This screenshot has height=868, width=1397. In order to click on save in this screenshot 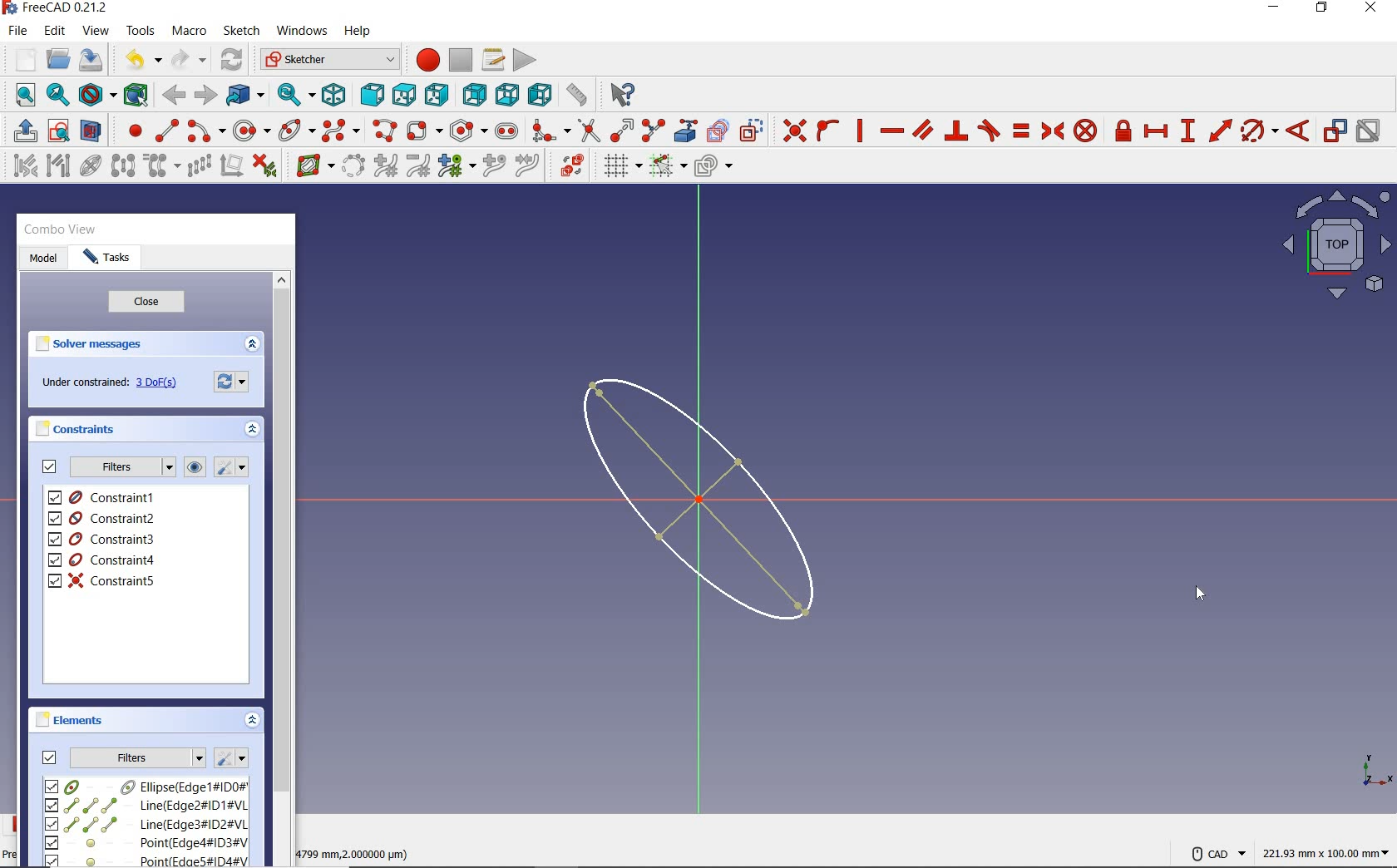, I will do `click(90, 60)`.